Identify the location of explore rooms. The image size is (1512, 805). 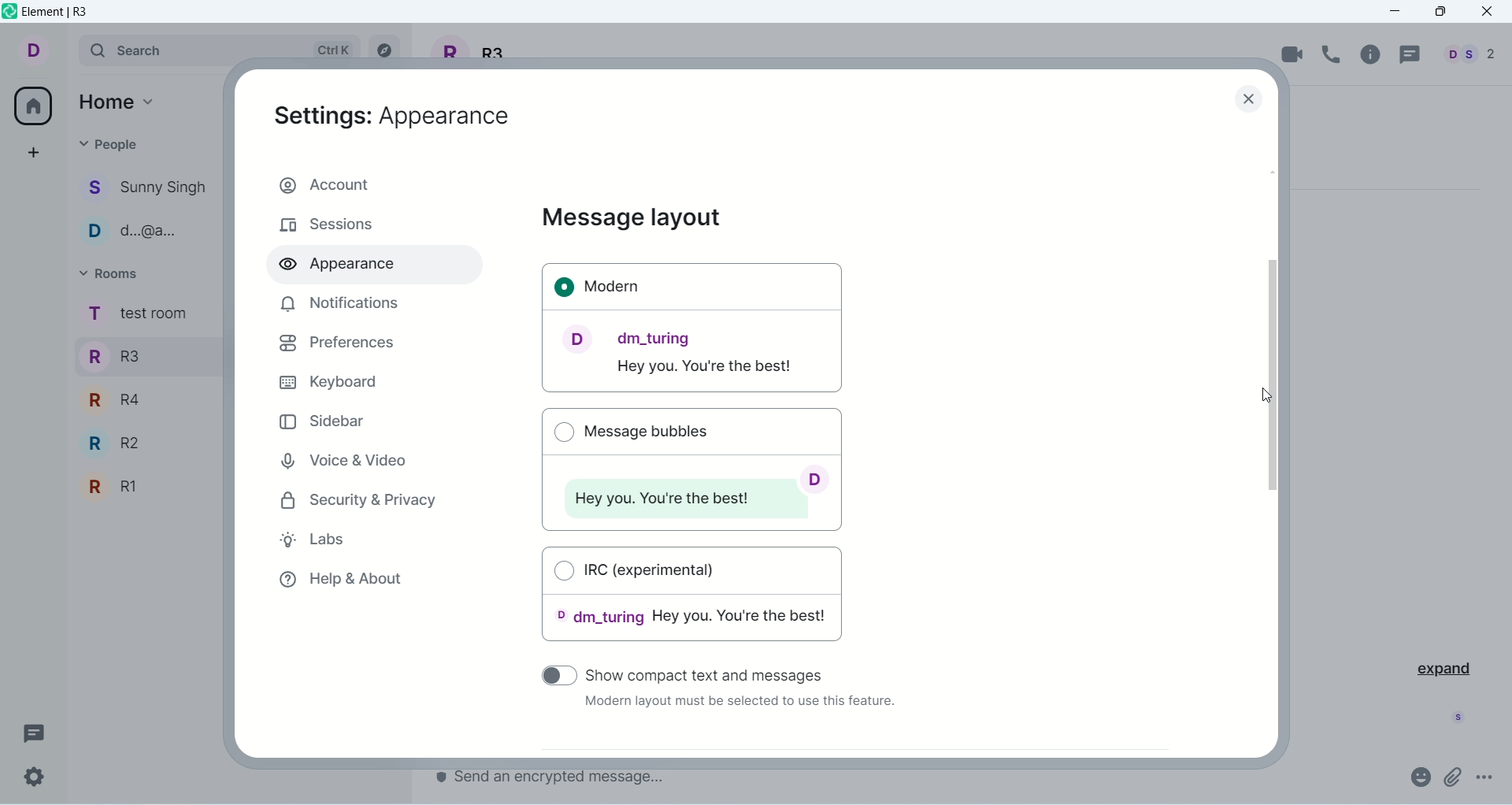
(387, 50).